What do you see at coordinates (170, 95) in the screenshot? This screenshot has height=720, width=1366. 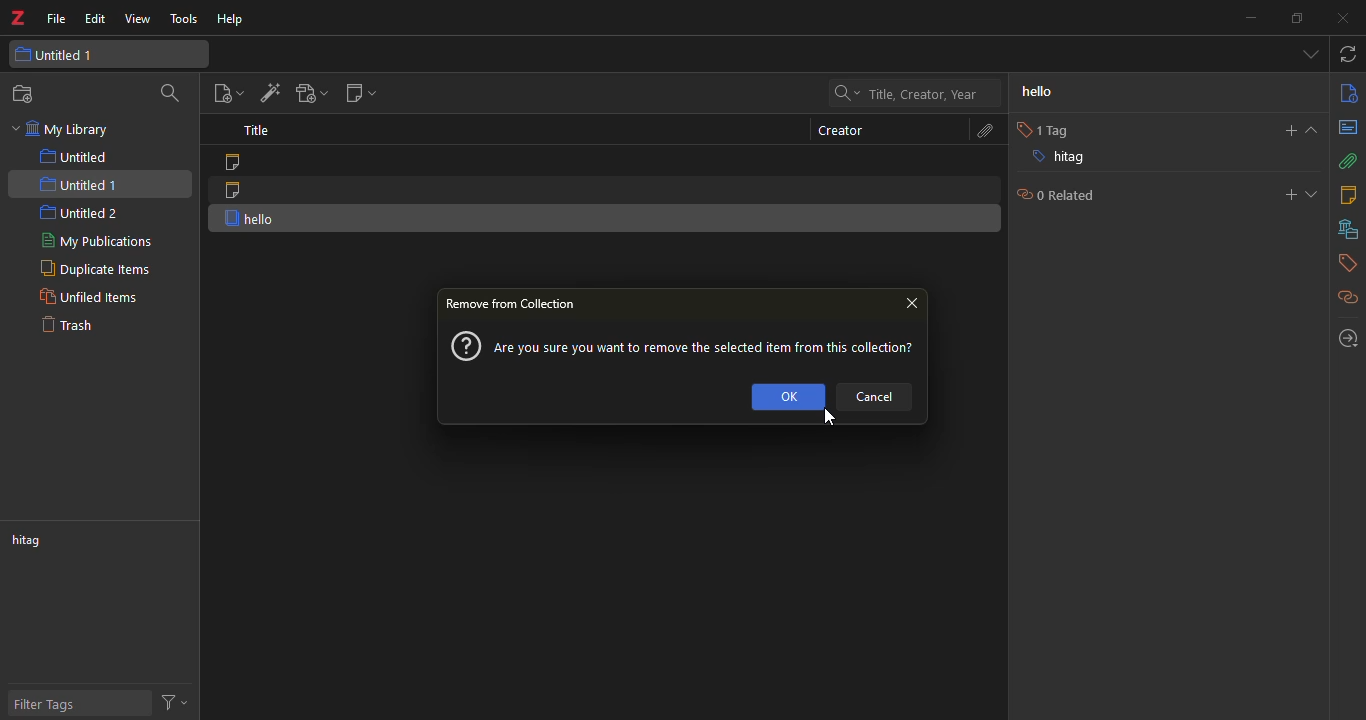 I see `search` at bounding box center [170, 95].